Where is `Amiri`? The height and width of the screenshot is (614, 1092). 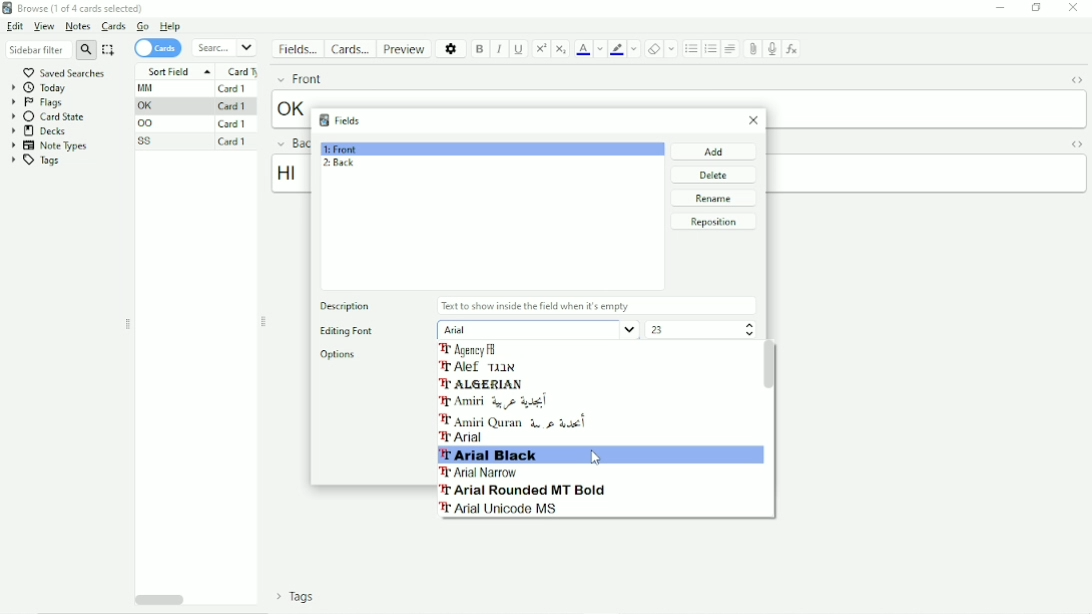 Amiri is located at coordinates (497, 401).